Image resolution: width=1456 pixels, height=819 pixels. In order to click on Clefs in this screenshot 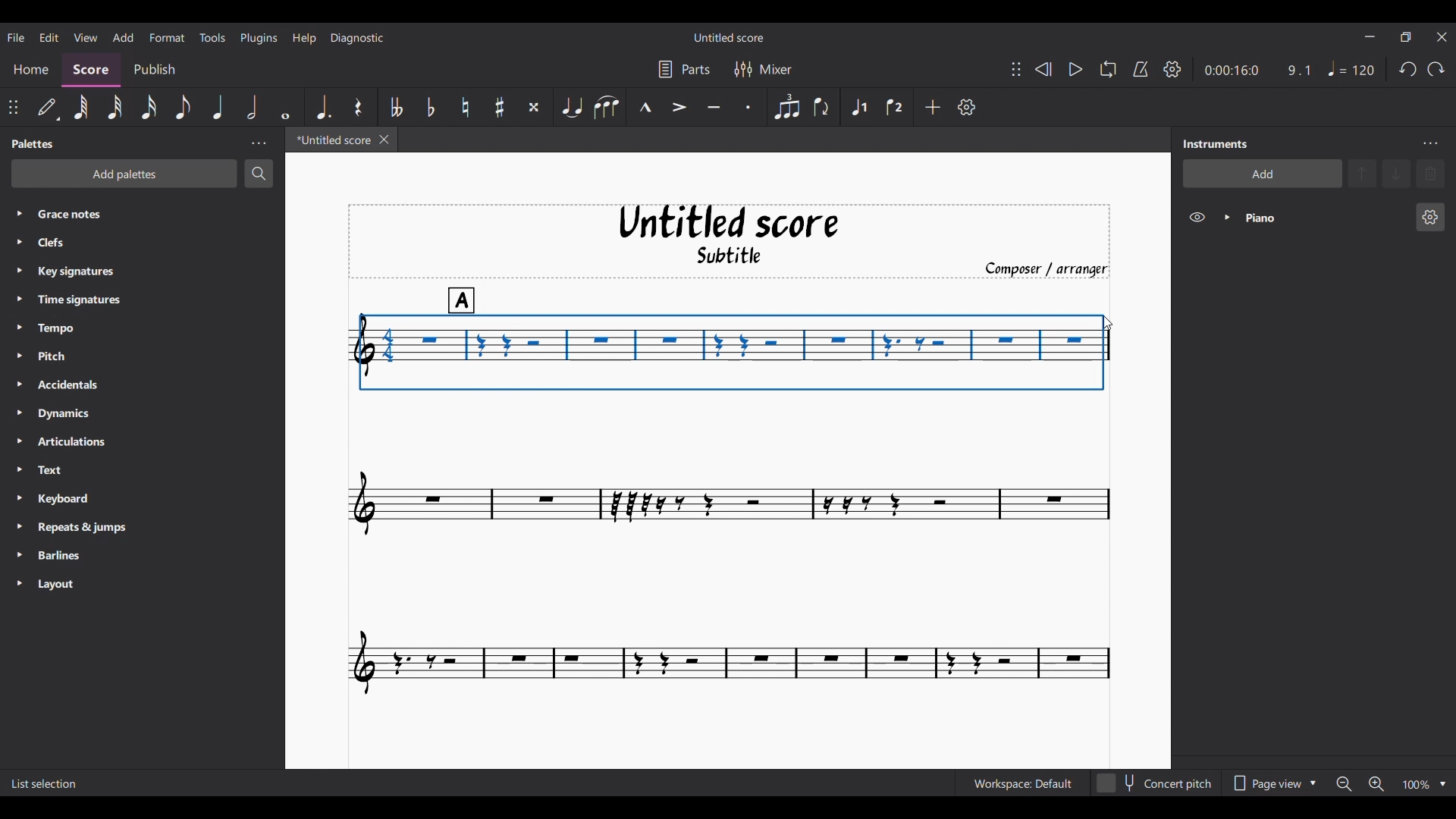, I will do `click(121, 243)`.